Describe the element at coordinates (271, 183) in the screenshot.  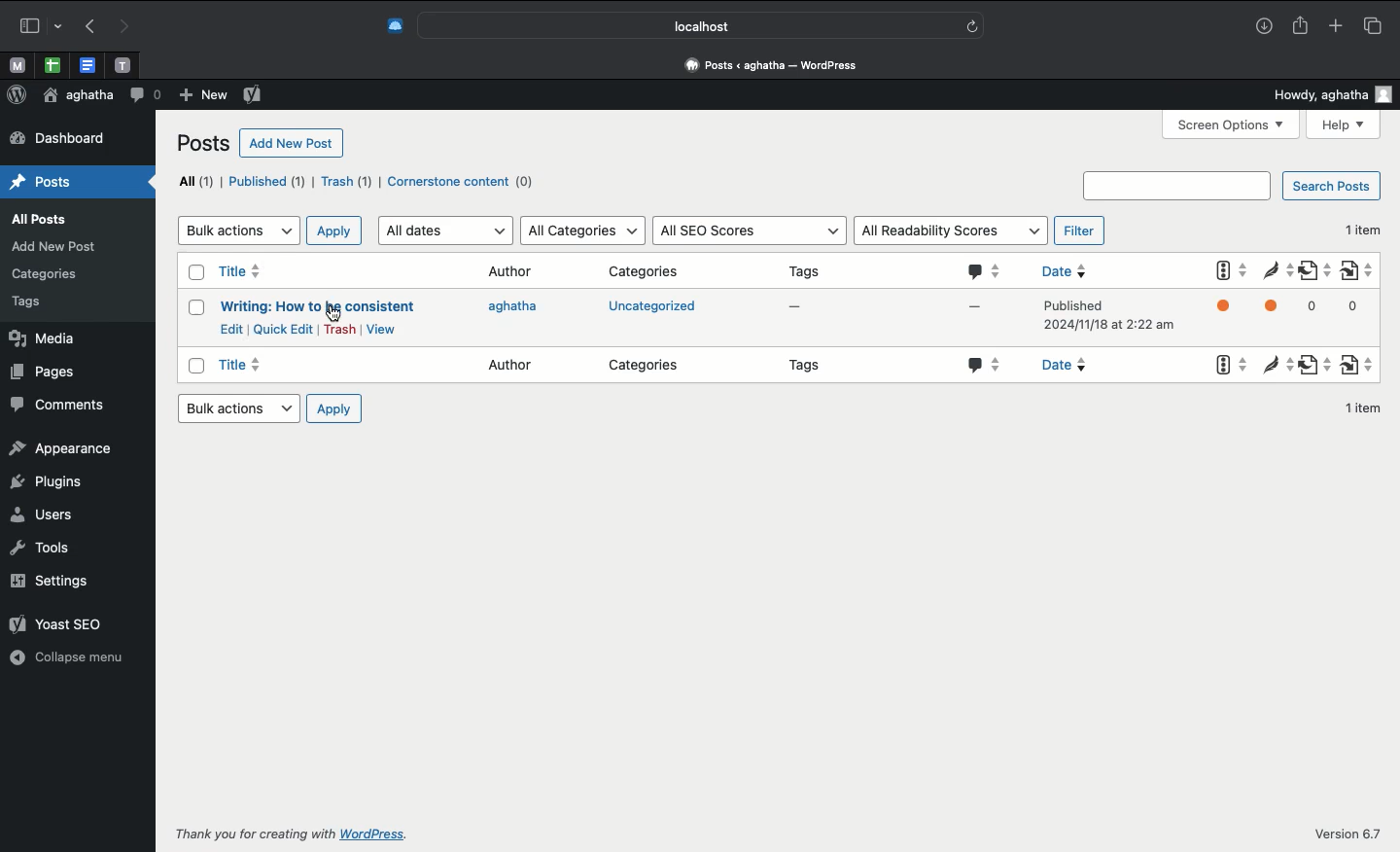
I see `Published (1)` at that location.